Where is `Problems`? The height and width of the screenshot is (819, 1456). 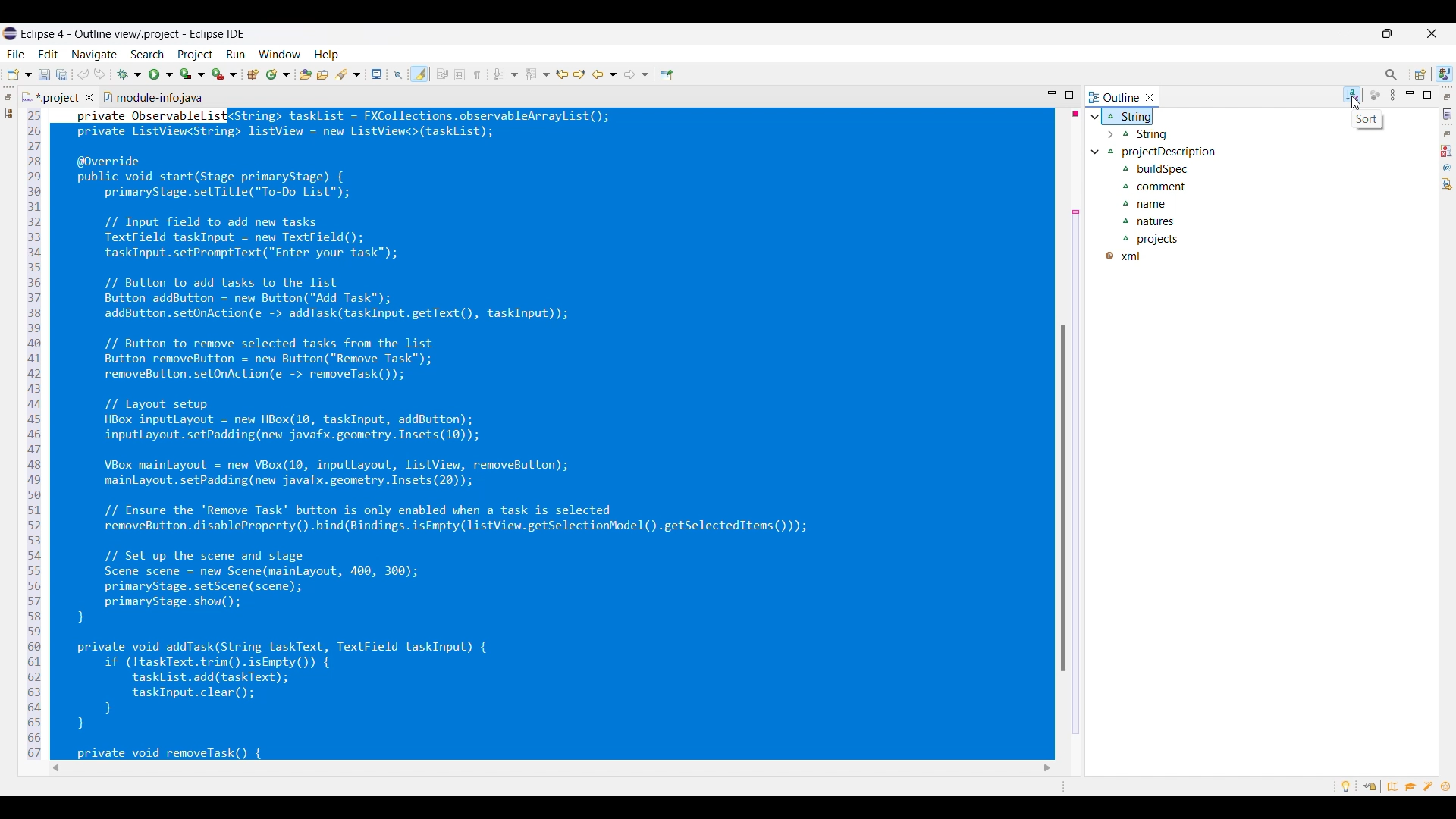 Problems is located at coordinates (1447, 151).